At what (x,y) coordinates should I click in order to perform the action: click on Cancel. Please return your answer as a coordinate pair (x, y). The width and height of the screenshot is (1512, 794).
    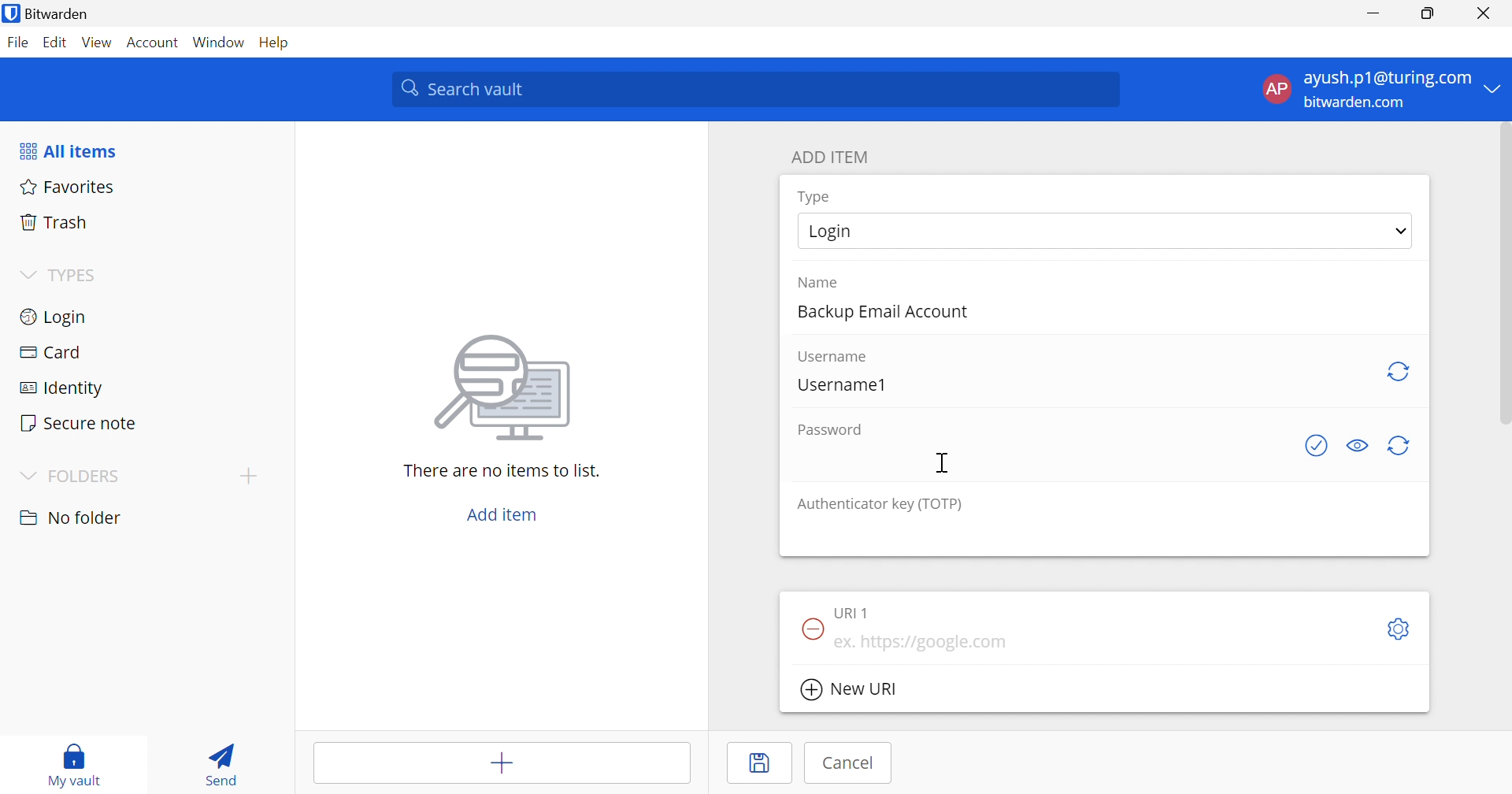
    Looking at the image, I should click on (849, 763).